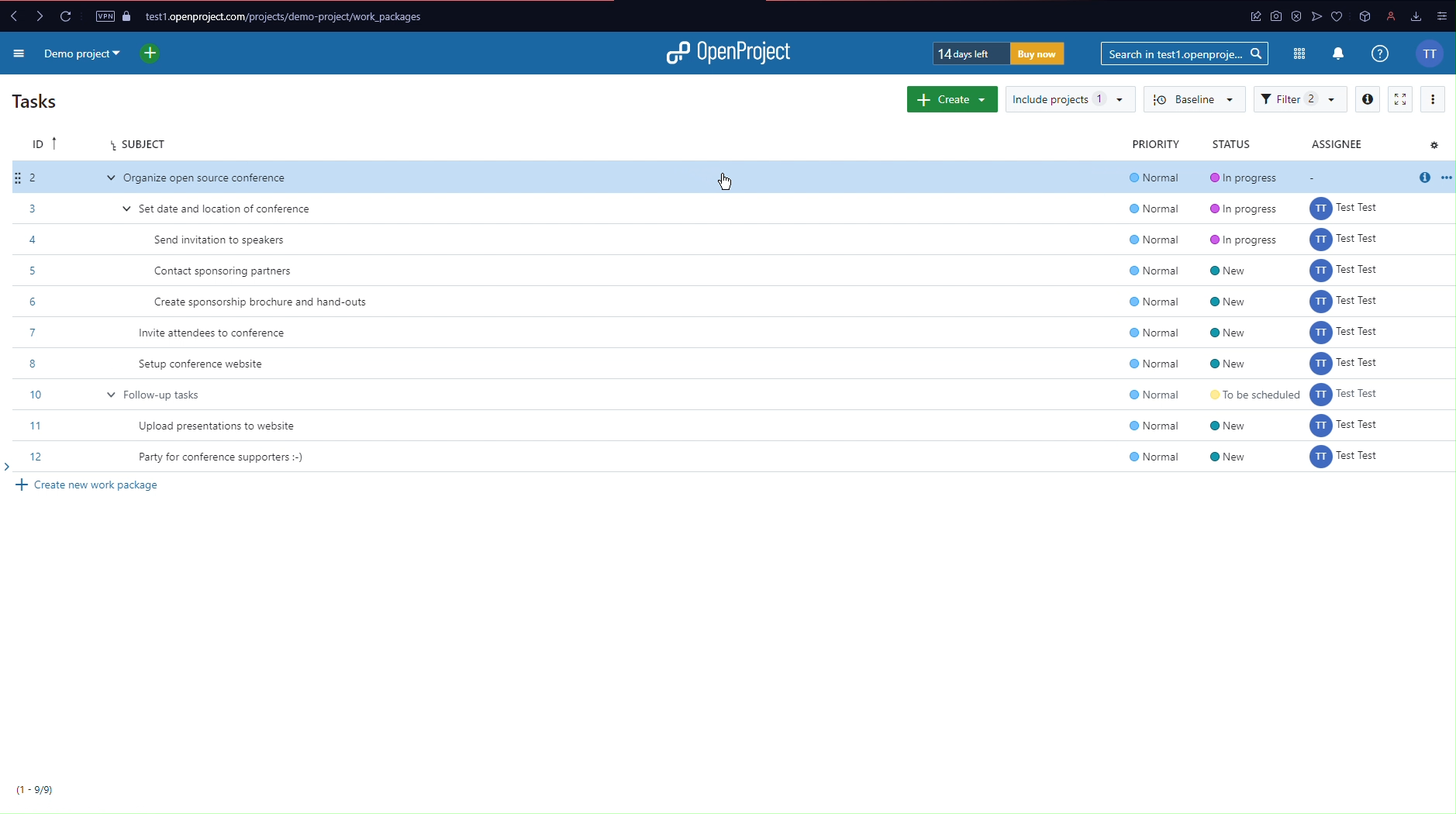 This screenshot has height=814, width=1456. What do you see at coordinates (1301, 98) in the screenshot?
I see `Filter` at bounding box center [1301, 98].